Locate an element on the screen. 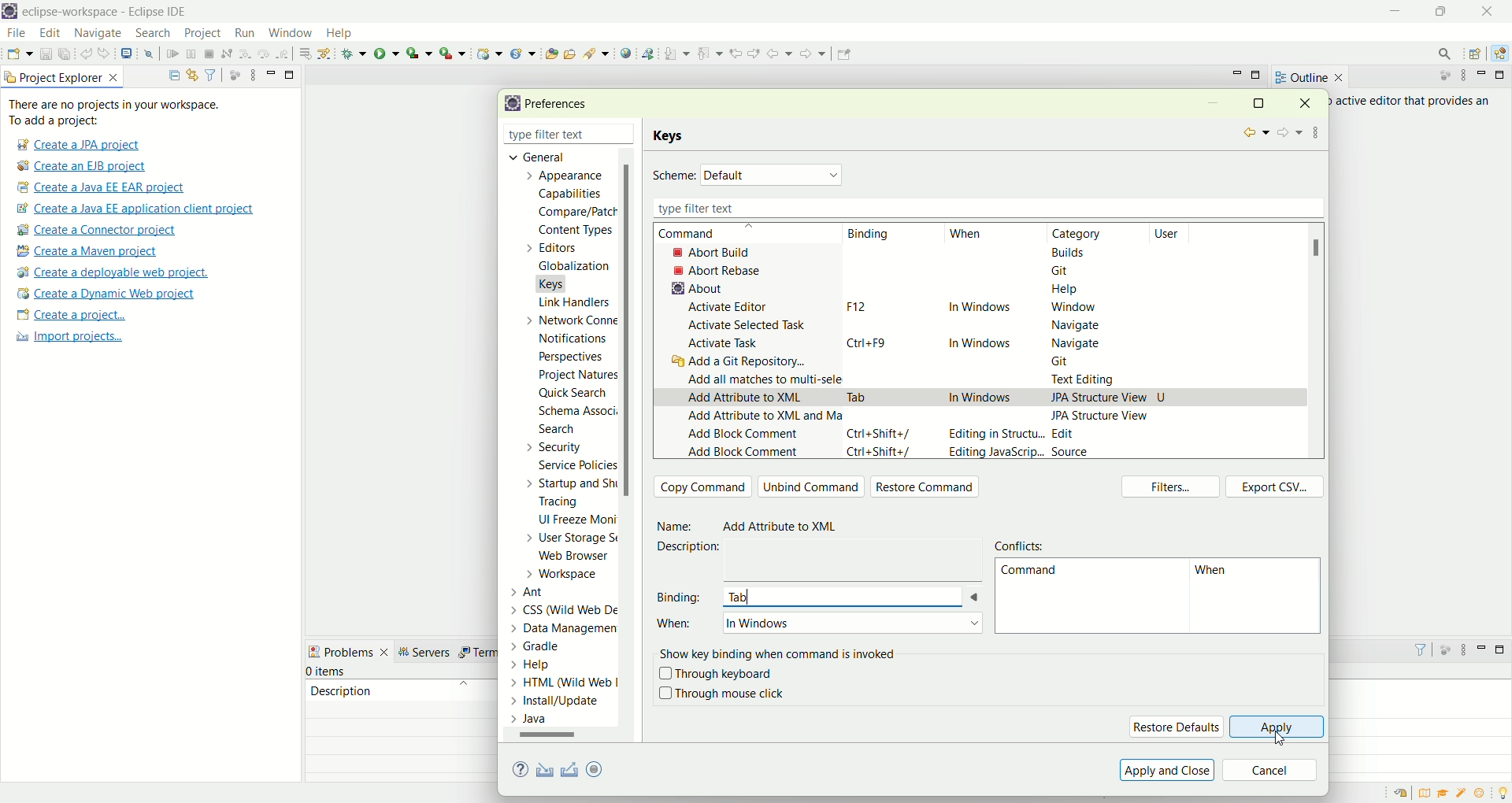 This screenshot has height=803, width=1512. through mouse click is located at coordinates (721, 694).